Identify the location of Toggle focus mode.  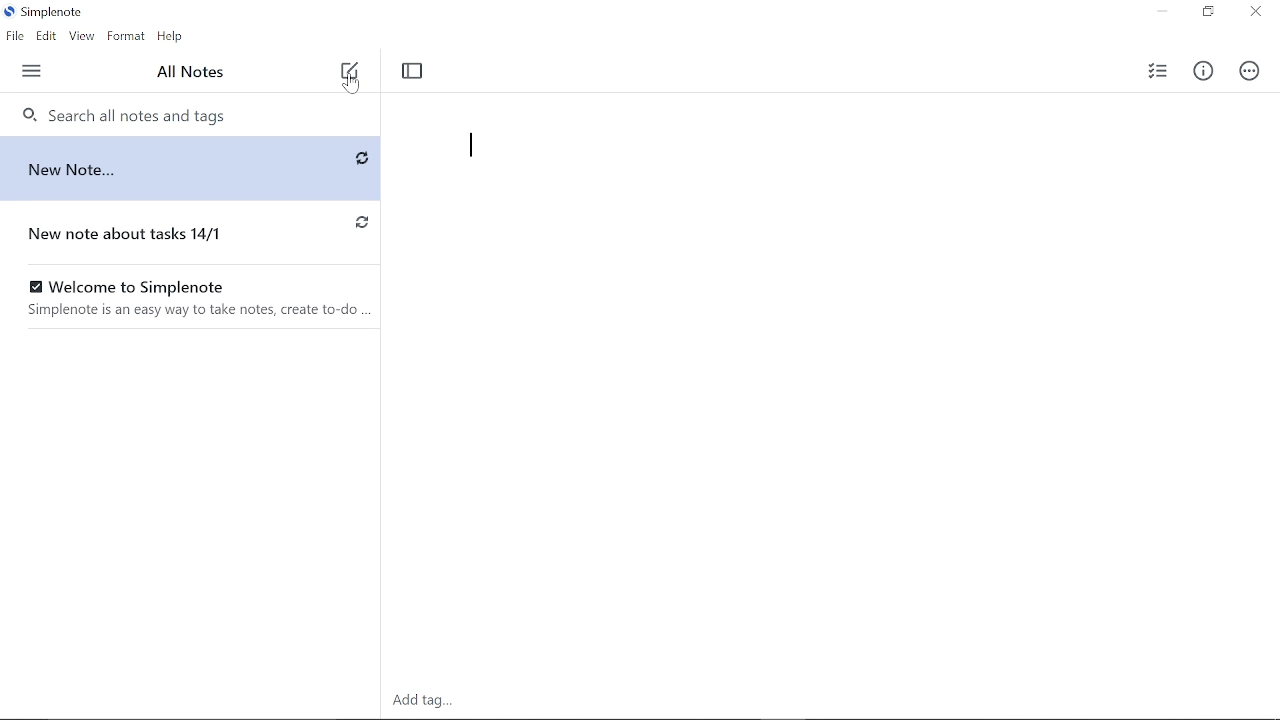
(414, 72).